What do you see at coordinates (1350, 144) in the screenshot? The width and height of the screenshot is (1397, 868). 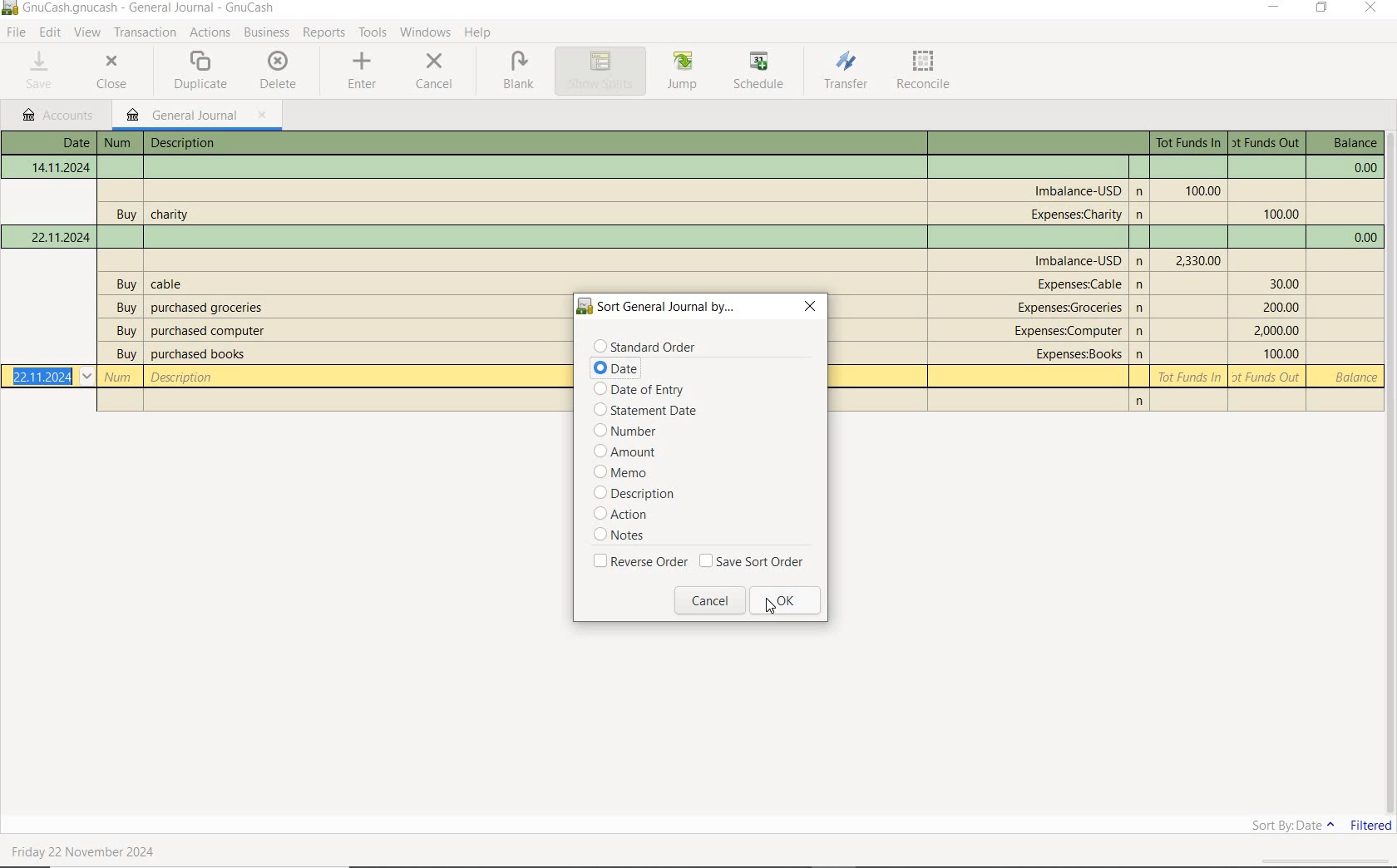 I see `balance` at bounding box center [1350, 144].